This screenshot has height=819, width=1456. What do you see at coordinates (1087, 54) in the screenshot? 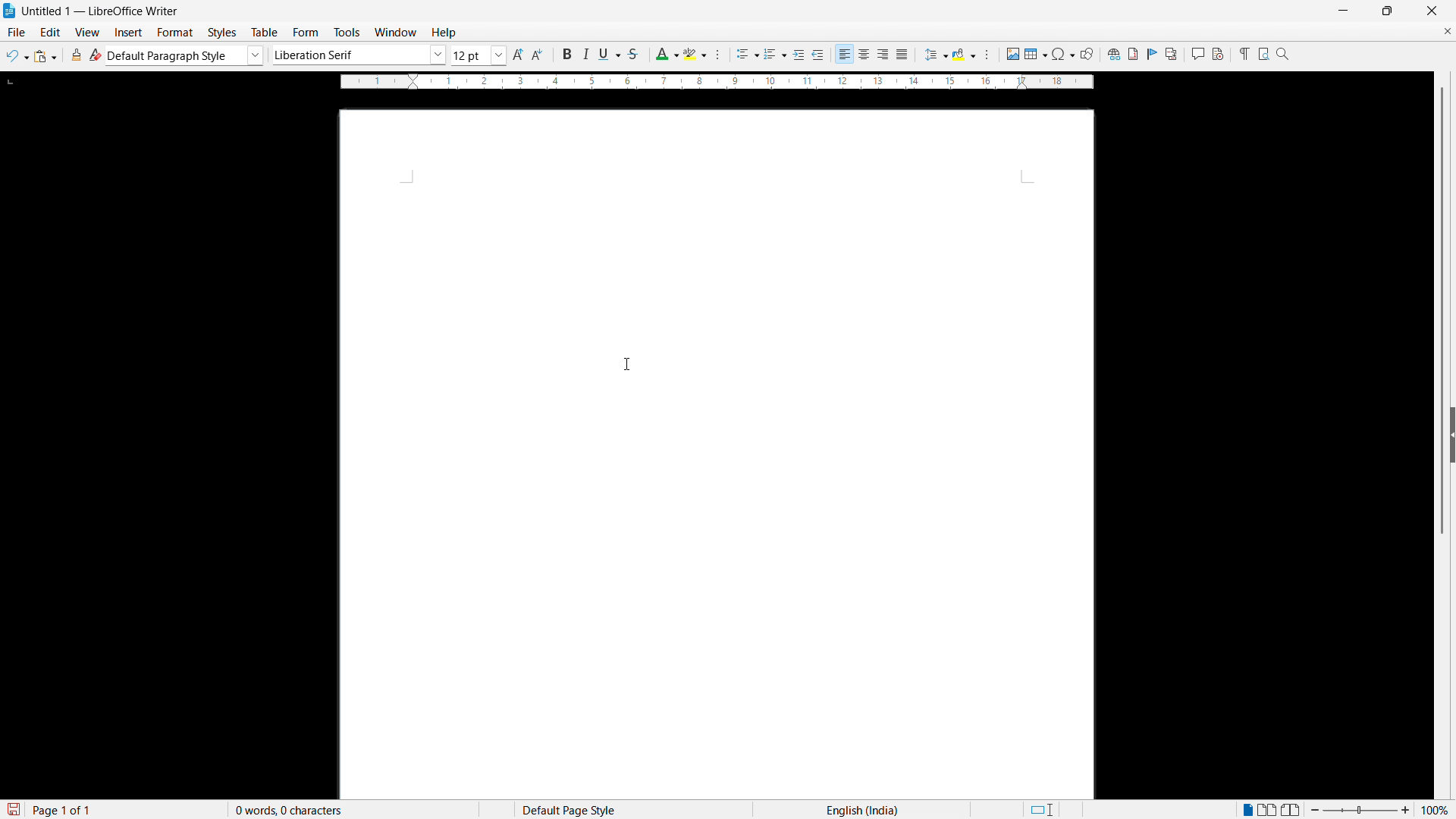
I see `Show draw functions ` at bounding box center [1087, 54].